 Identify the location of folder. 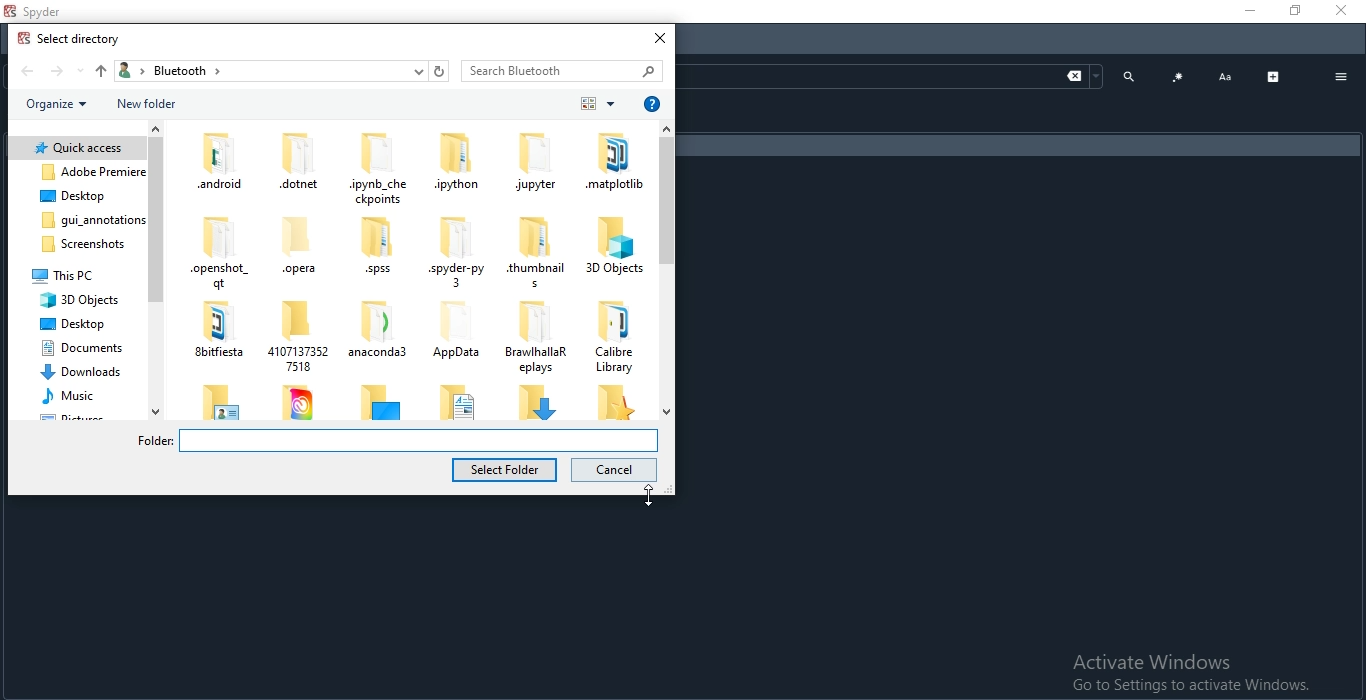
(380, 402).